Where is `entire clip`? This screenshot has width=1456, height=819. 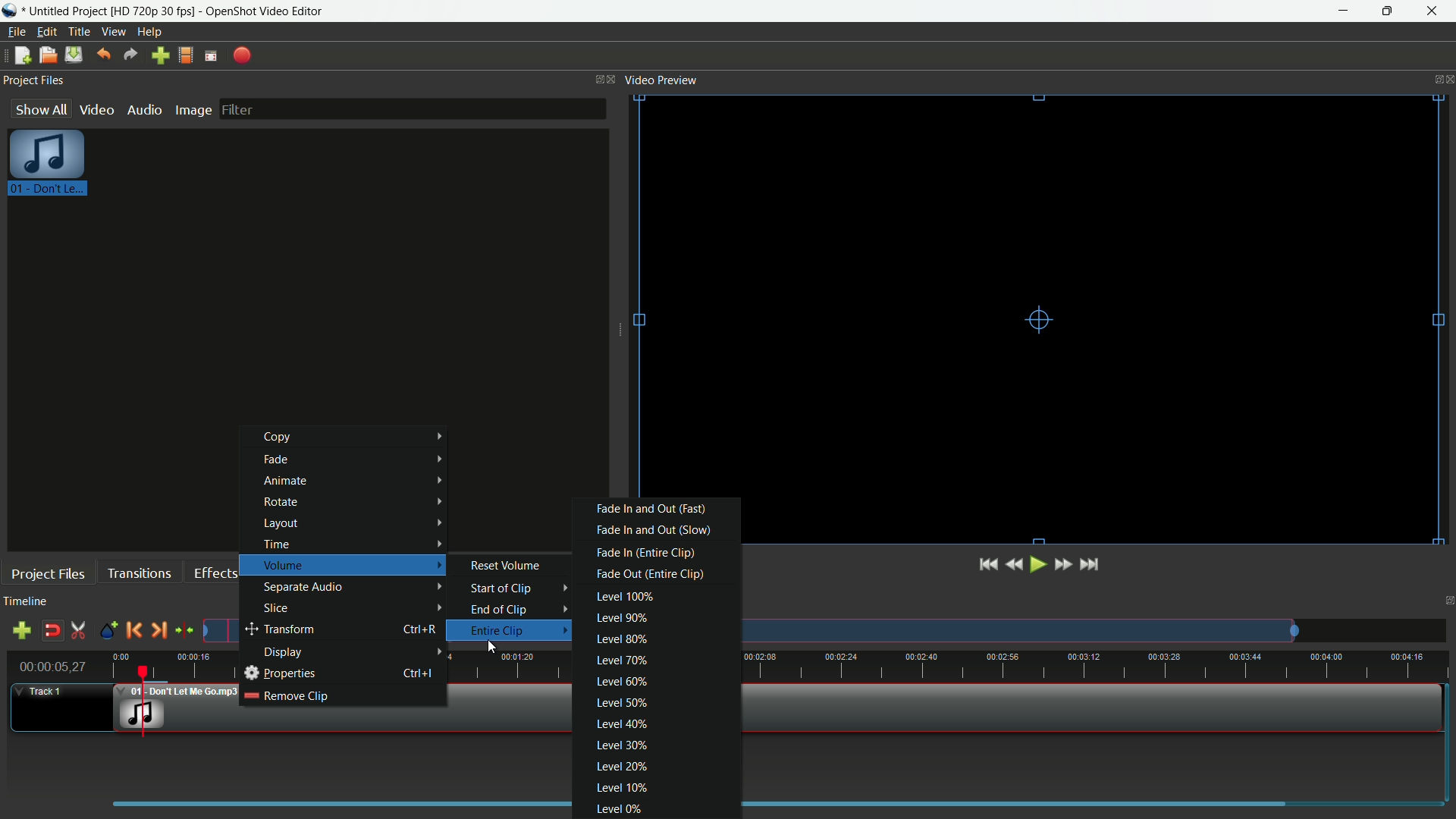 entire clip is located at coordinates (518, 630).